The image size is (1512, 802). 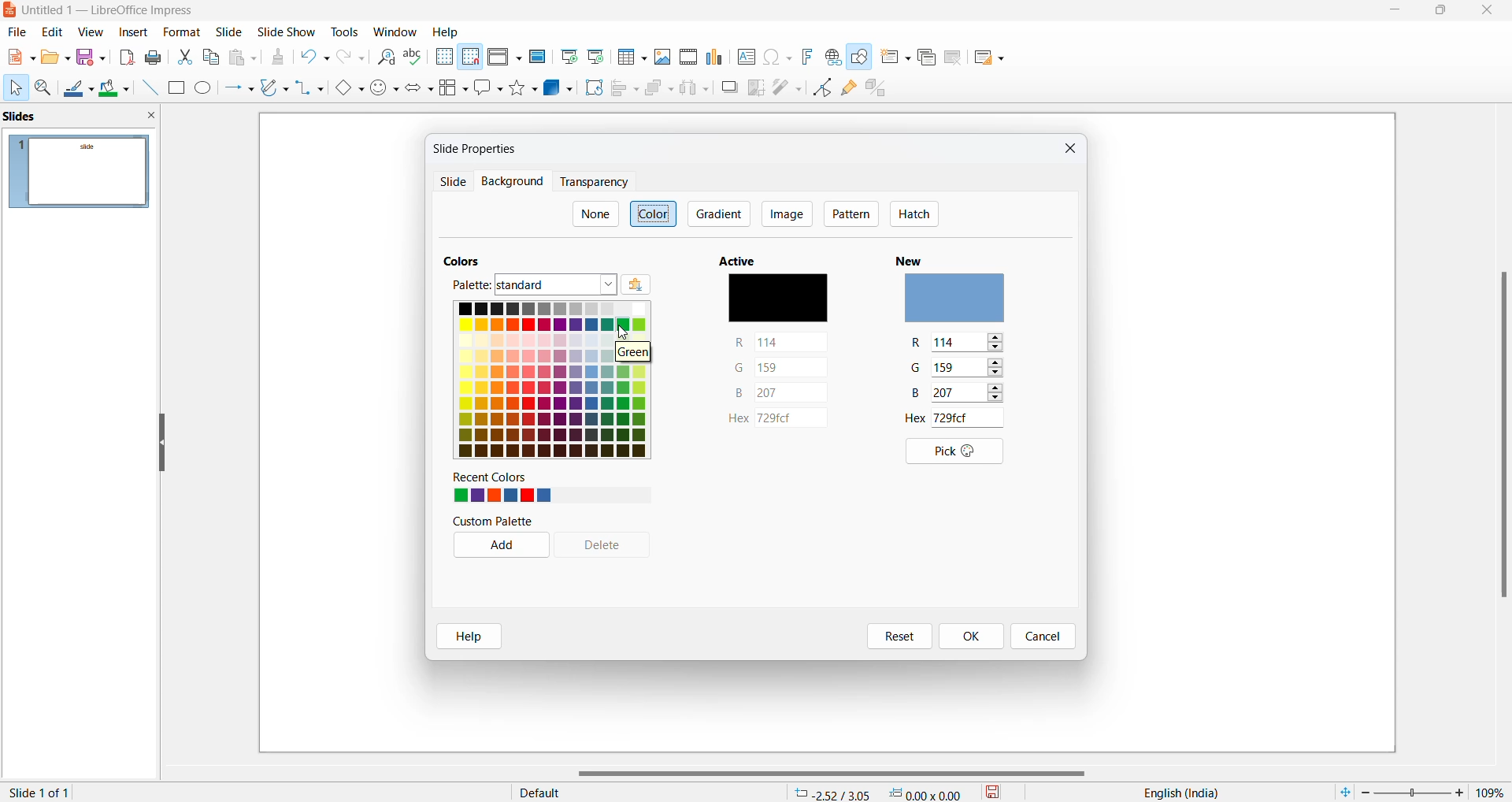 I want to click on cursor coordinate, so click(x=883, y=790).